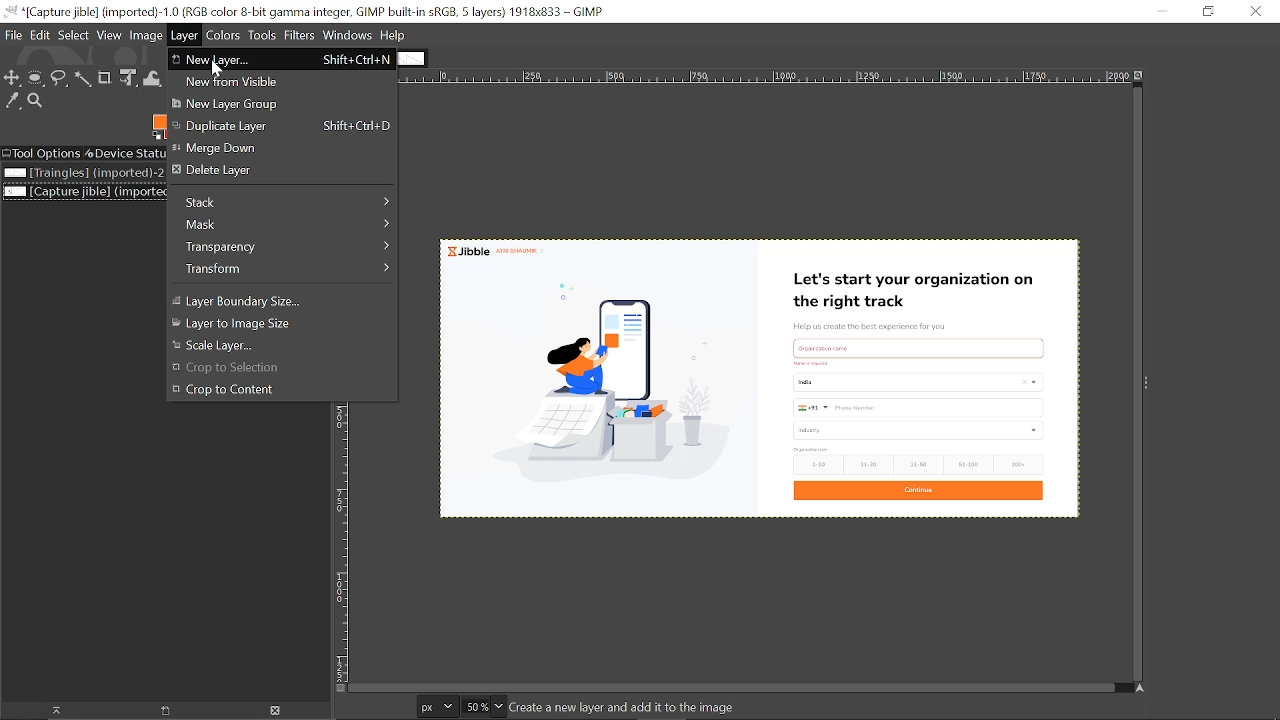 This screenshot has width=1280, height=720. What do you see at coordinates (128, 78) in the screenshot?
I see `Unified transform tool` at bounding box center [128, 78].